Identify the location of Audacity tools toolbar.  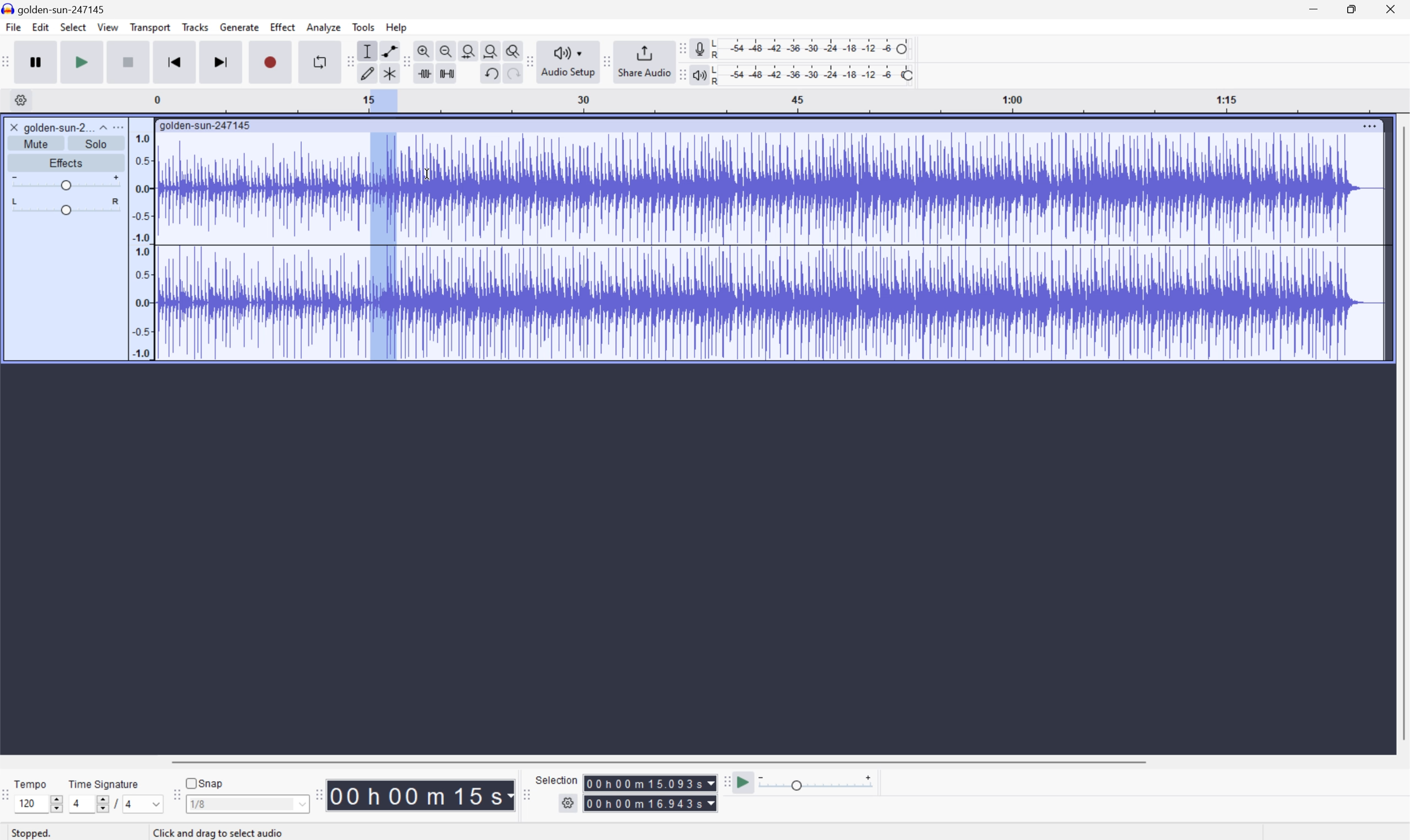
(403, 61).